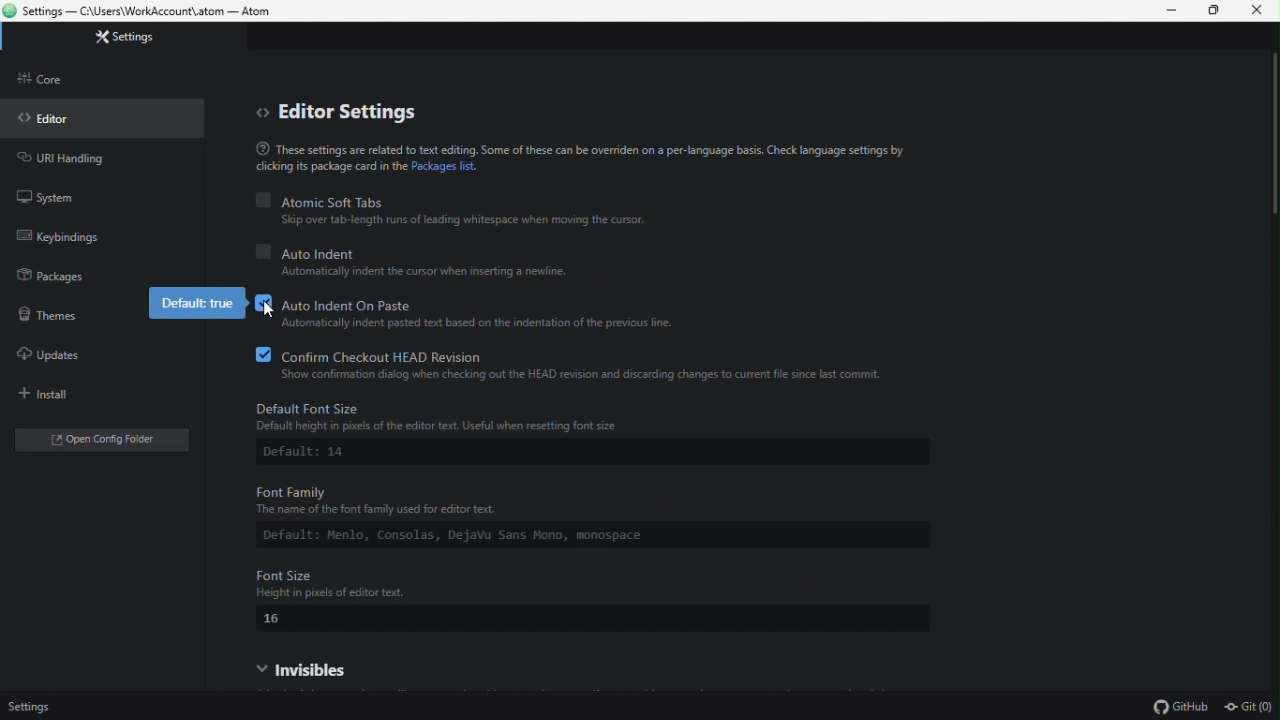 This screenshot has height=720, width=1280. Describe the element at coordinates (459, 200) in the screenshot. I see `Atomic soft tabs` at that location.